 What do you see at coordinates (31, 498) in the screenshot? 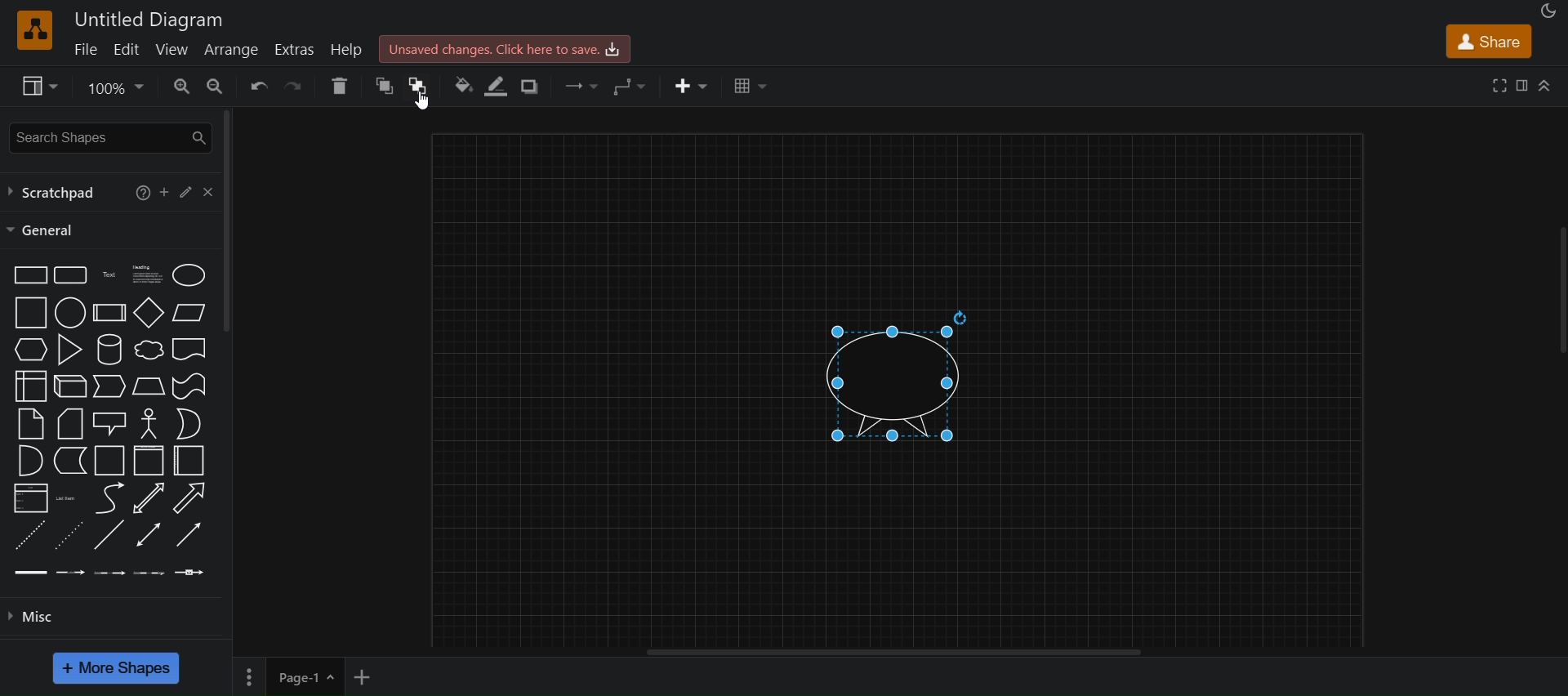
I see `list` at bounding box center [31, 498].